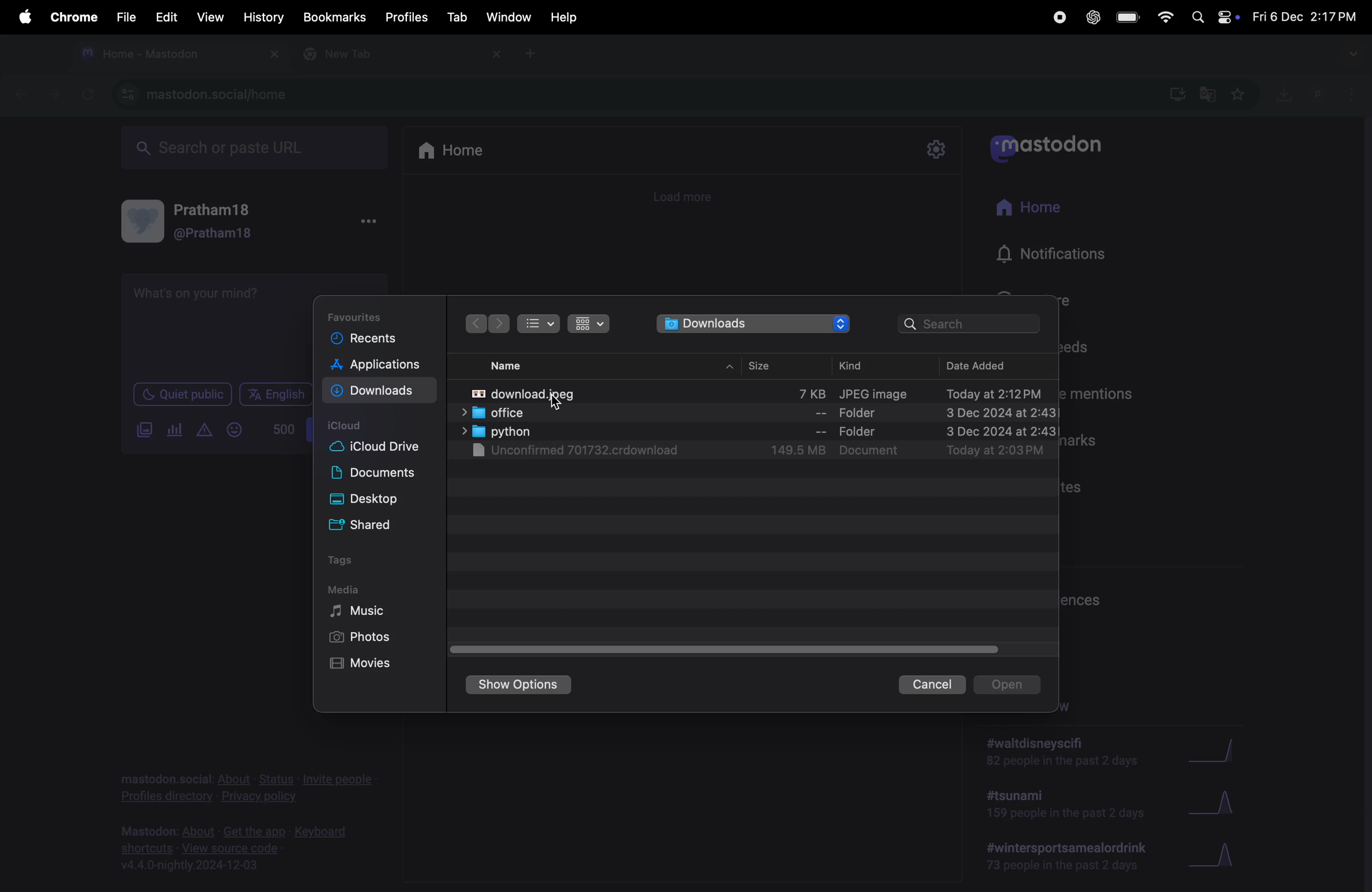  Describe the element at coordinates (26, 96) in the screenshot. I see `backward` at that location.